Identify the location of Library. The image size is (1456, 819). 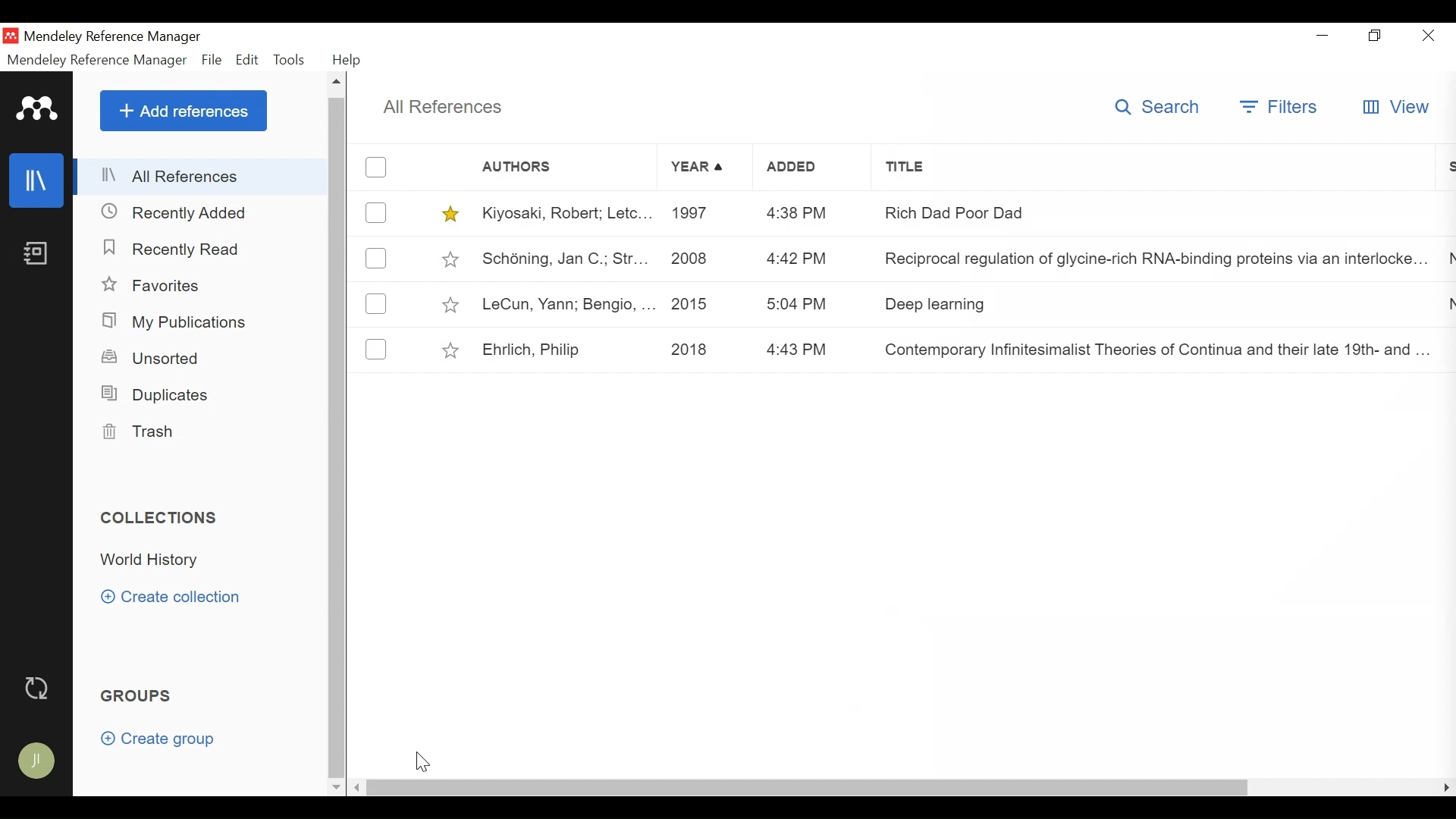
(38, 180).